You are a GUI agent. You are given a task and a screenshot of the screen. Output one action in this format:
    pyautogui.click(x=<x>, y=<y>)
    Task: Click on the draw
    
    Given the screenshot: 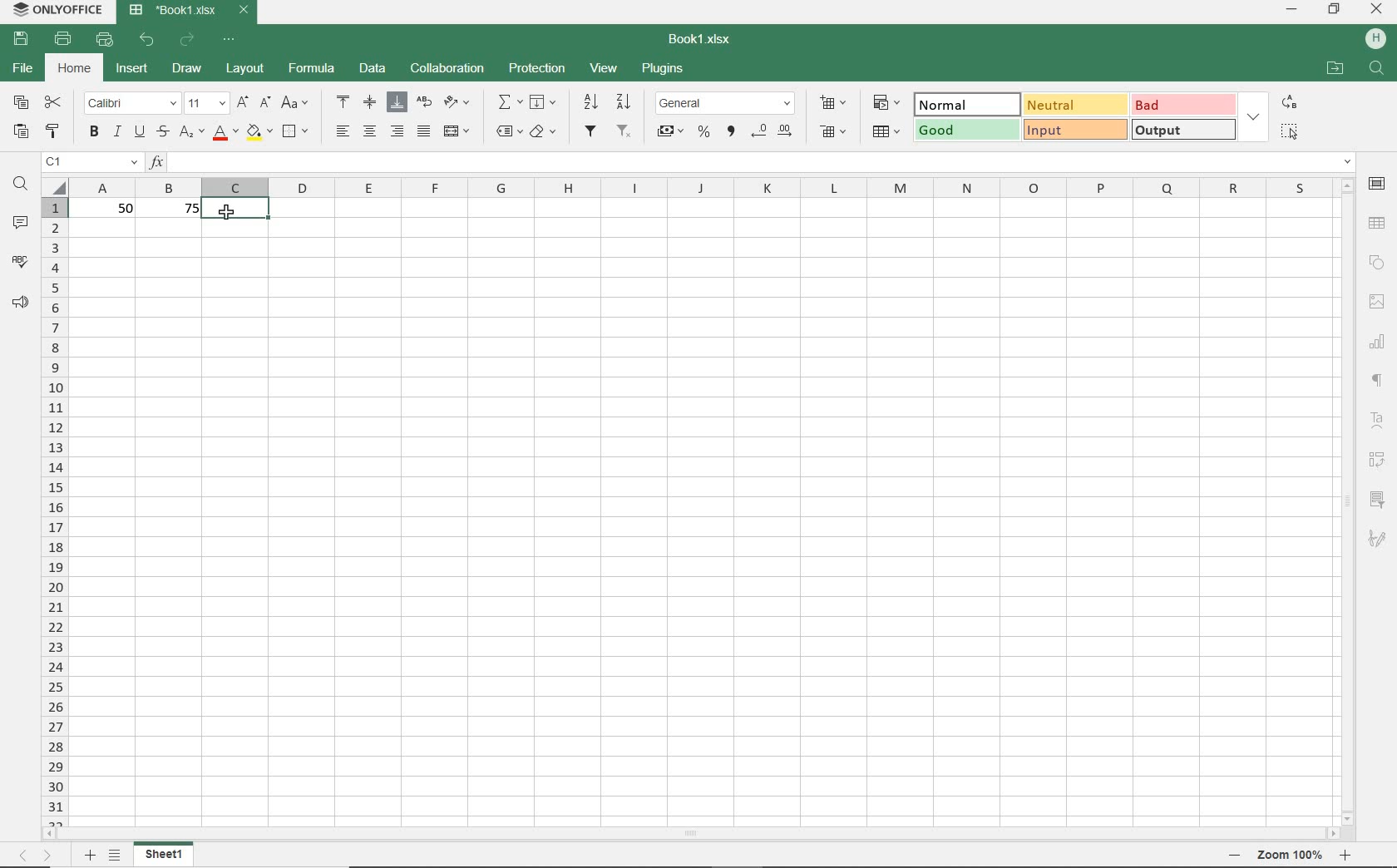 What is the action you would take?
    pyautogui.click(x=186, y=69)
    